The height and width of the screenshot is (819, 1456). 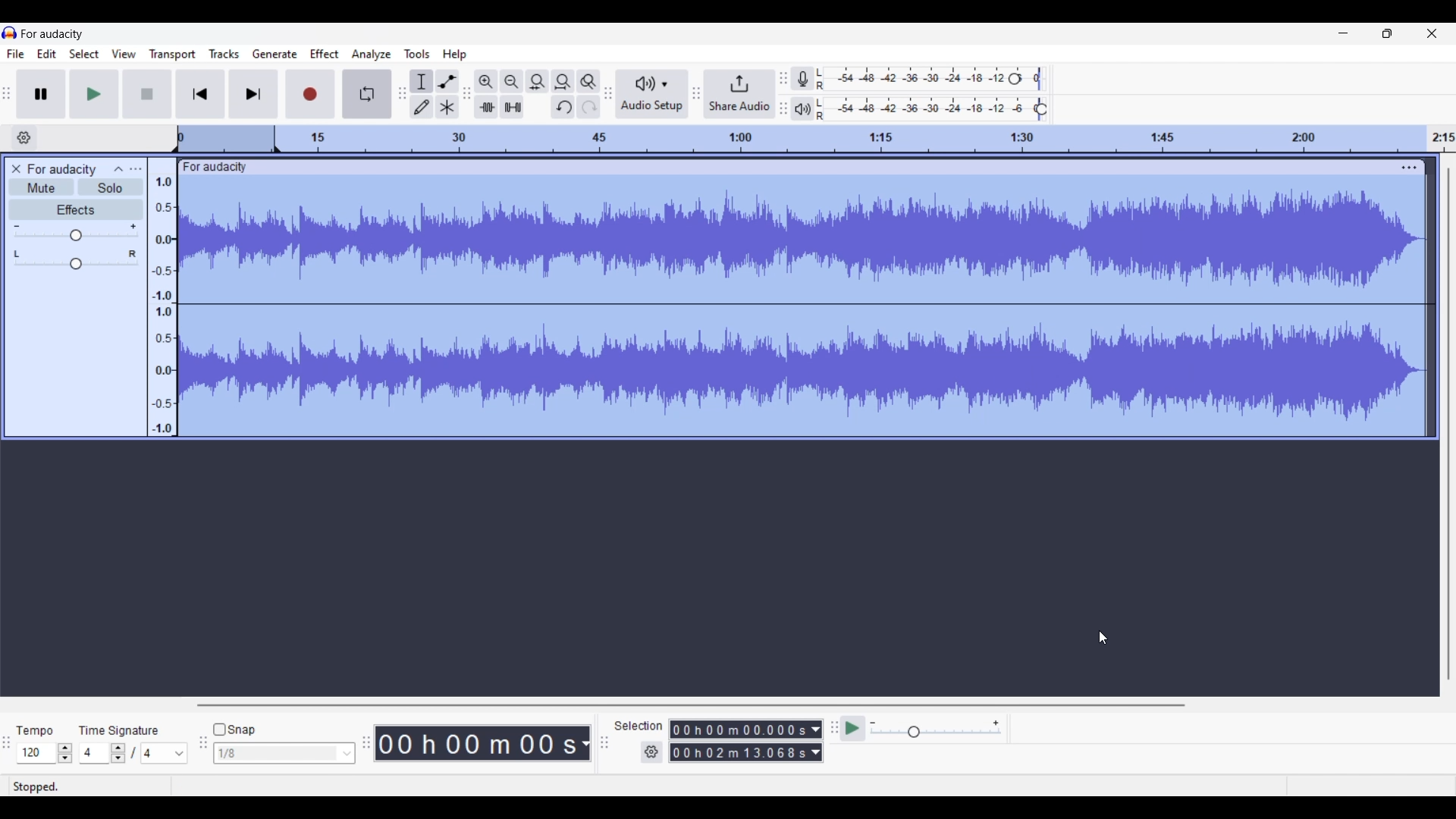 What do you see at coordinates (254, 94) in the screenshot?
I see `Skip/Select to end` at bounding box center [254, 94].